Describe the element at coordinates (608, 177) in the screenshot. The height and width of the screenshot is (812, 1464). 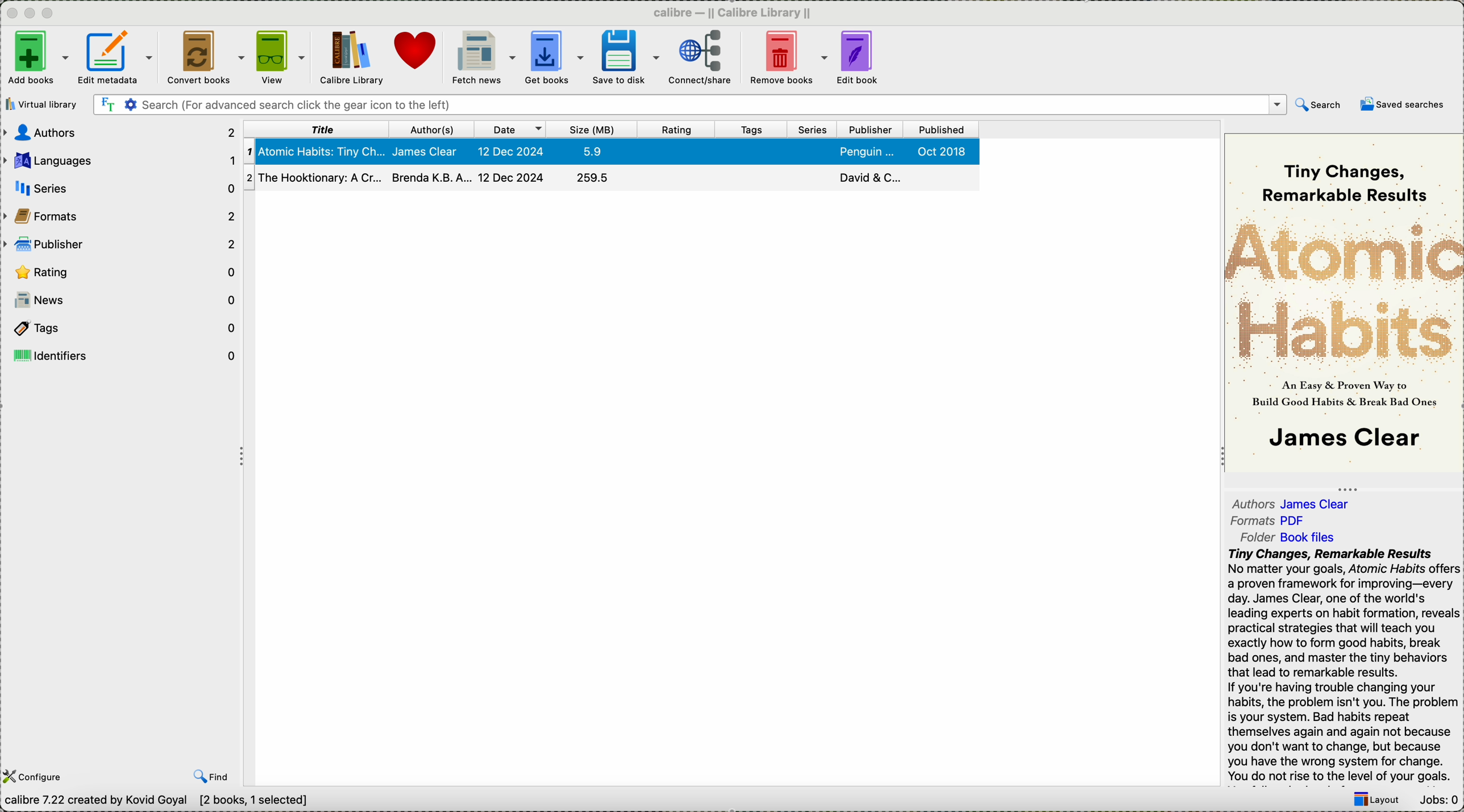
I see `second book` at that location.